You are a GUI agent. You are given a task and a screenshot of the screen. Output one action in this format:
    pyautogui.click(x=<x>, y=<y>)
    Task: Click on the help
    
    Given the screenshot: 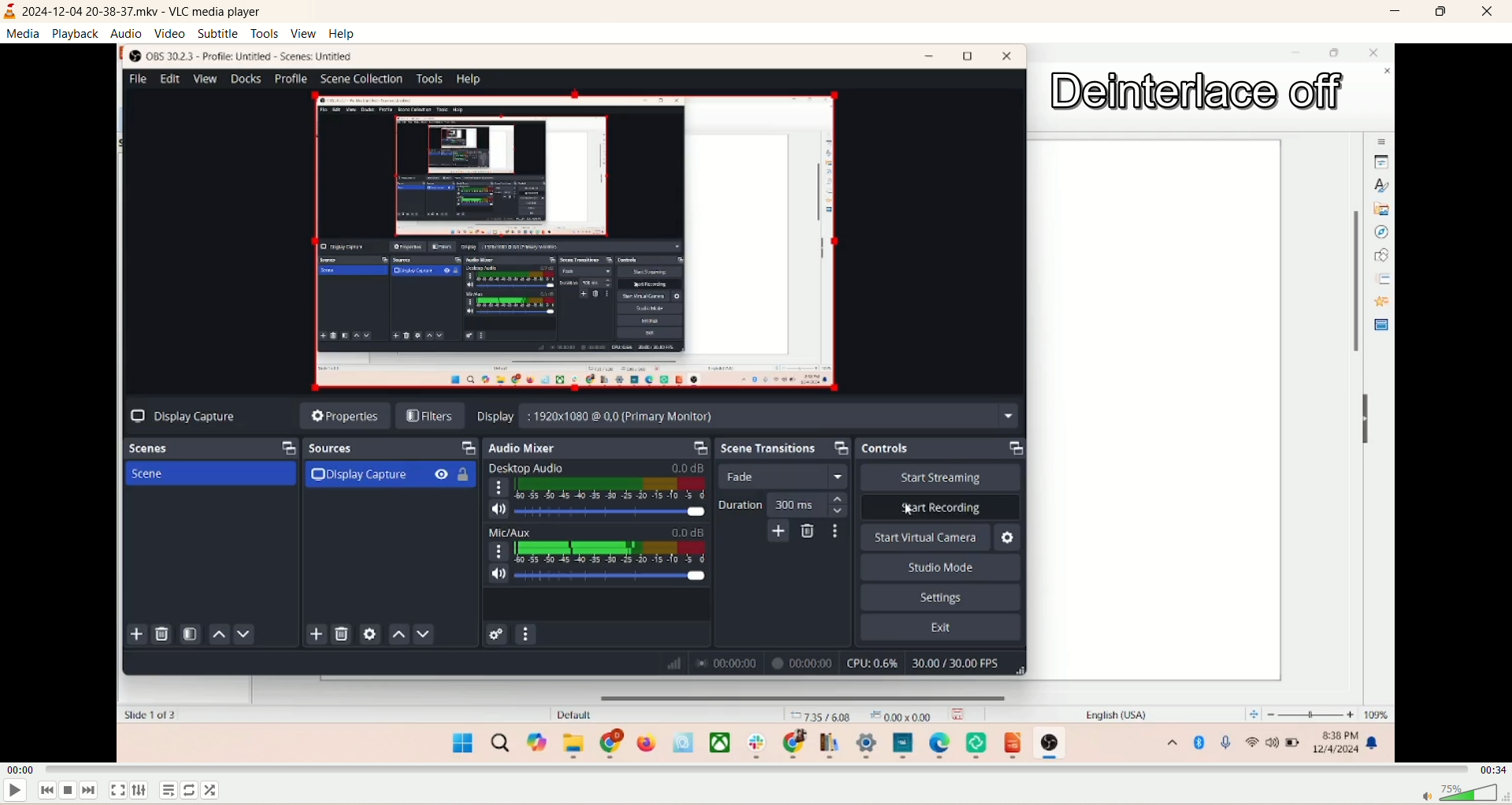 What is the action you would take?
    pyautogui.click(x=343, y=34)
    